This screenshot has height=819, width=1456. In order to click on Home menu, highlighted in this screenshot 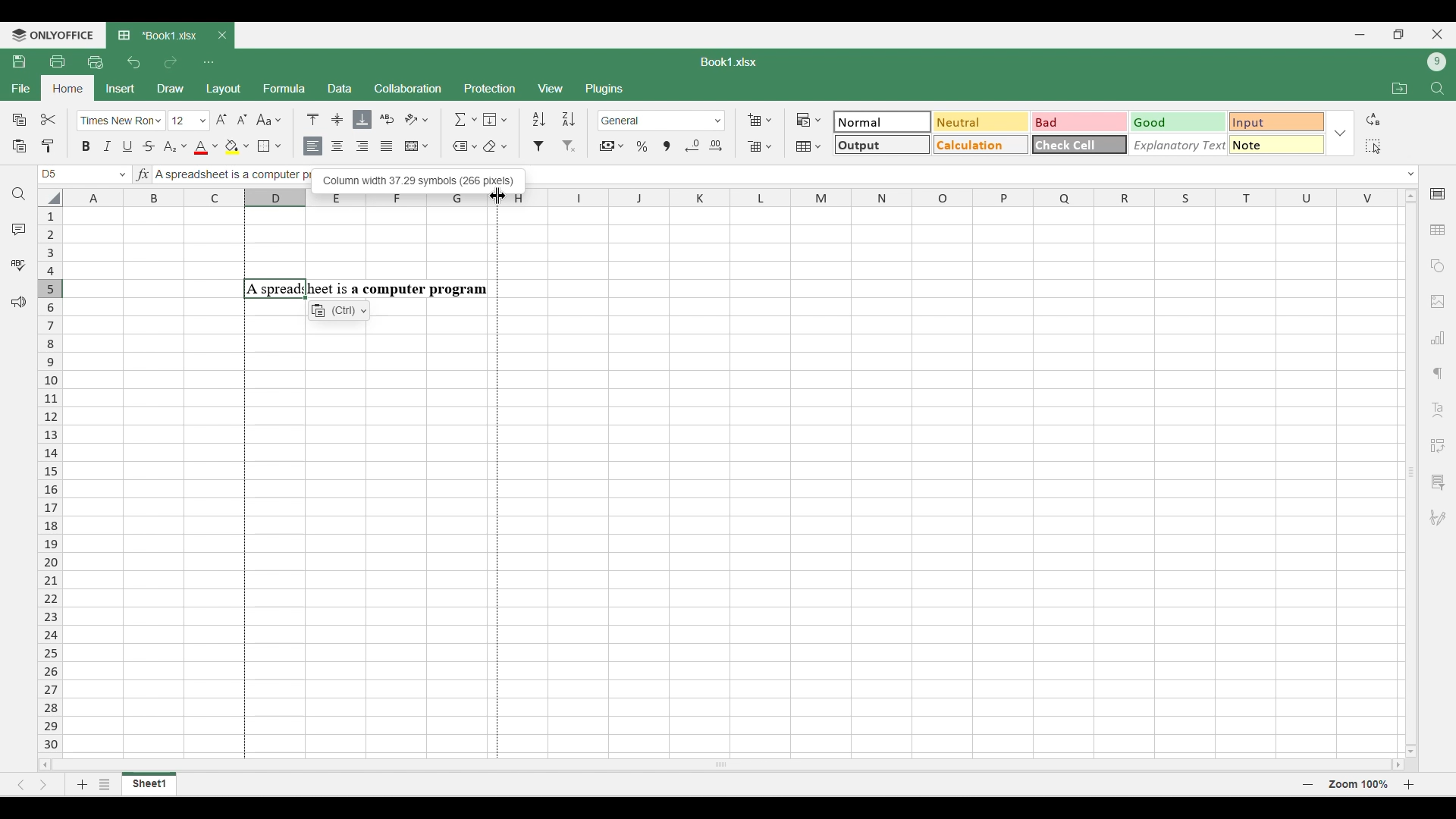, I will do `click(67, 89)`.